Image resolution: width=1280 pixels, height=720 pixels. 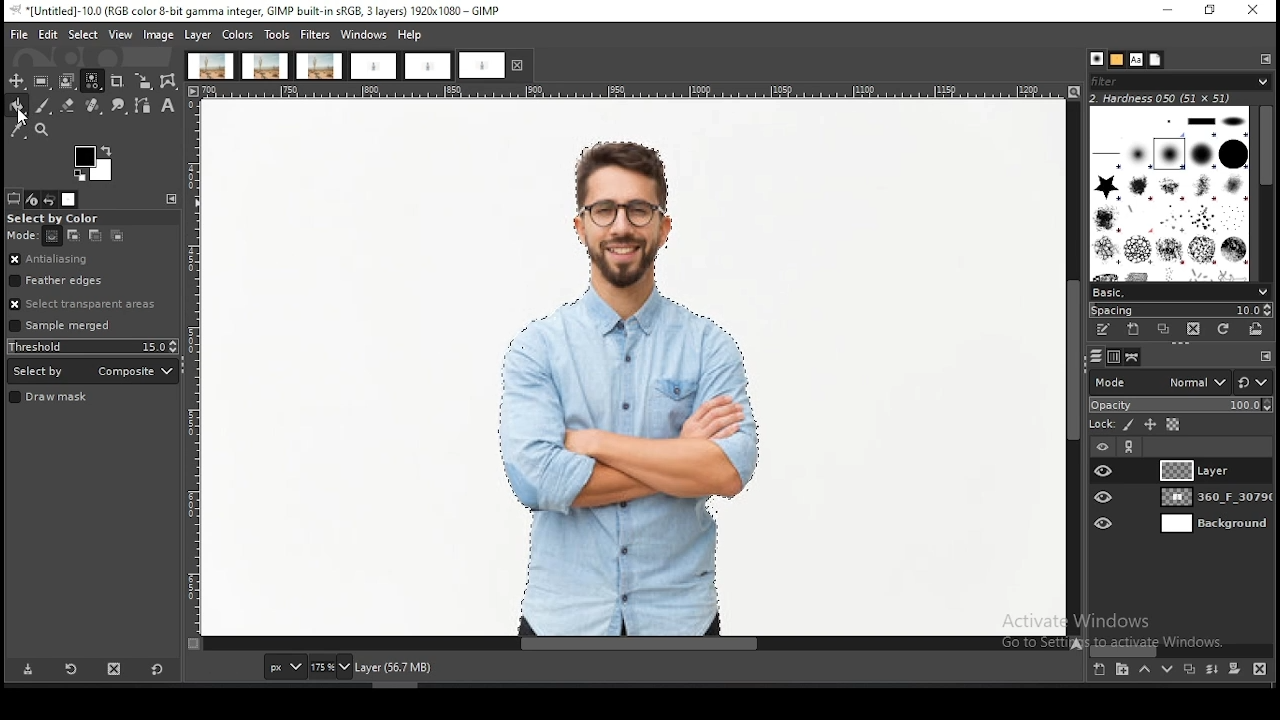 I want to click on move layer one step up, so click(x=1144, y=669).